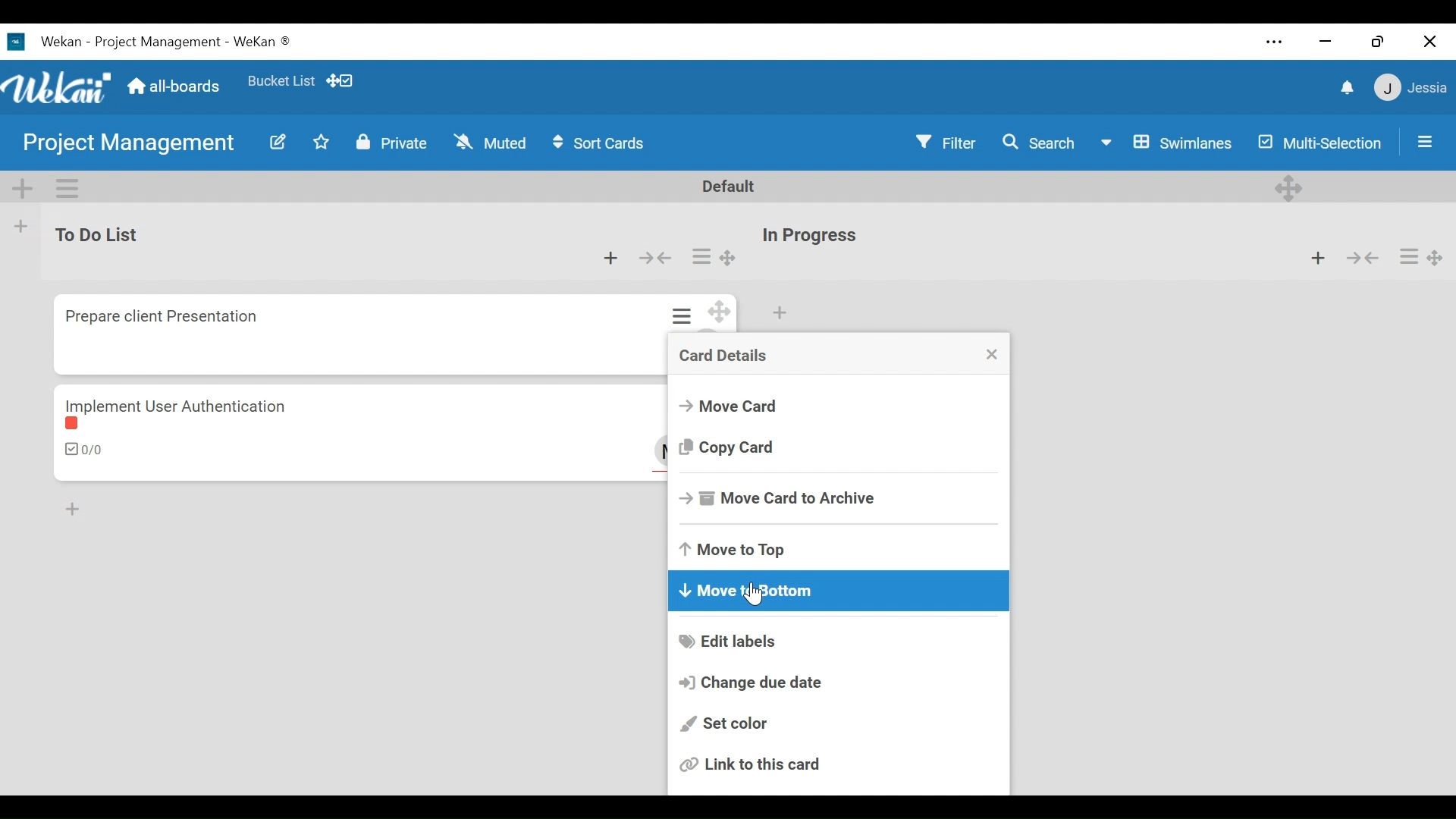 The image size is (1456, 819). I want to click on Move to Bottom, so click(839, 591).